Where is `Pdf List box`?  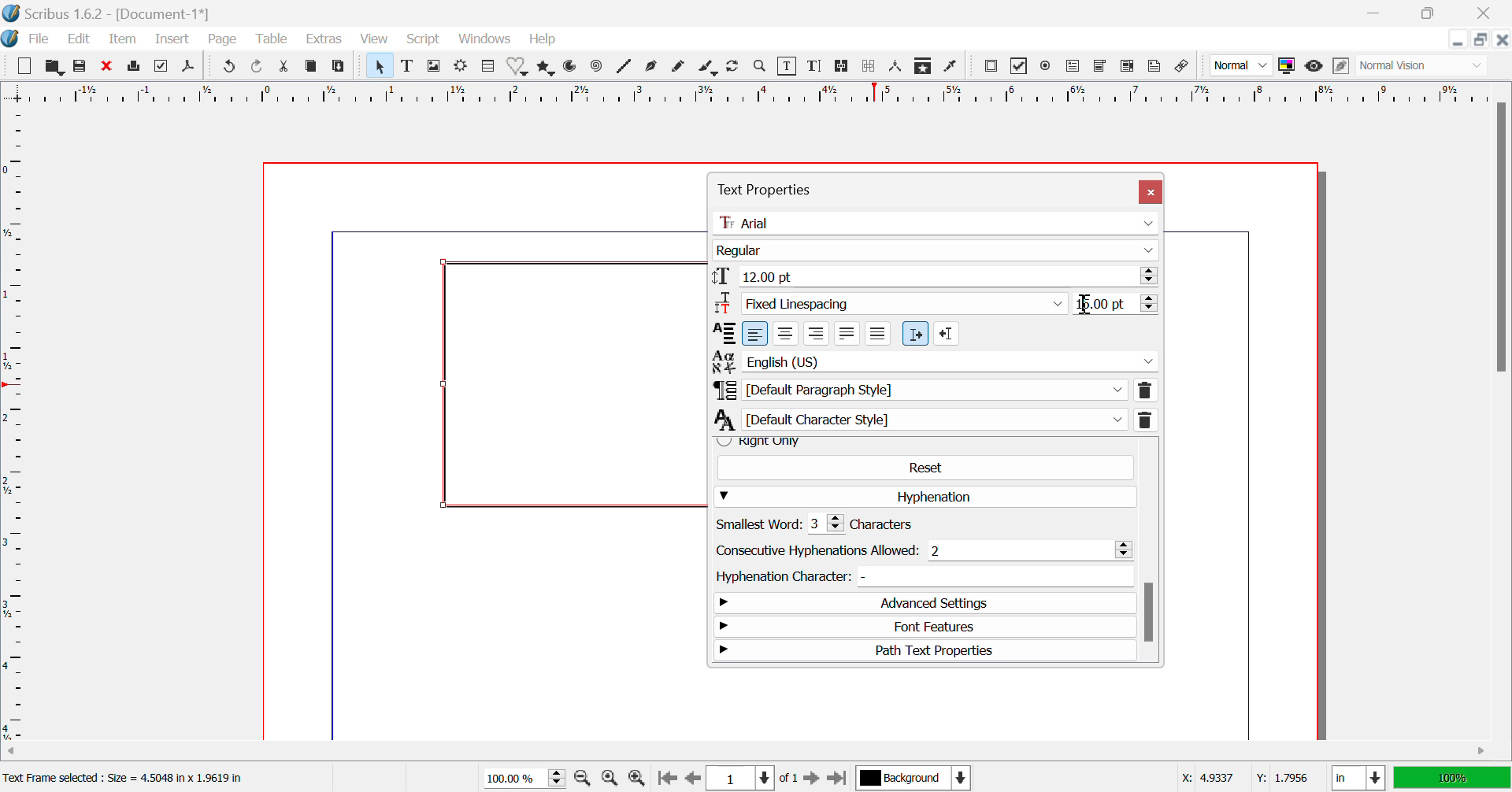 Pdf List box is located at coordinates (1125, 67).